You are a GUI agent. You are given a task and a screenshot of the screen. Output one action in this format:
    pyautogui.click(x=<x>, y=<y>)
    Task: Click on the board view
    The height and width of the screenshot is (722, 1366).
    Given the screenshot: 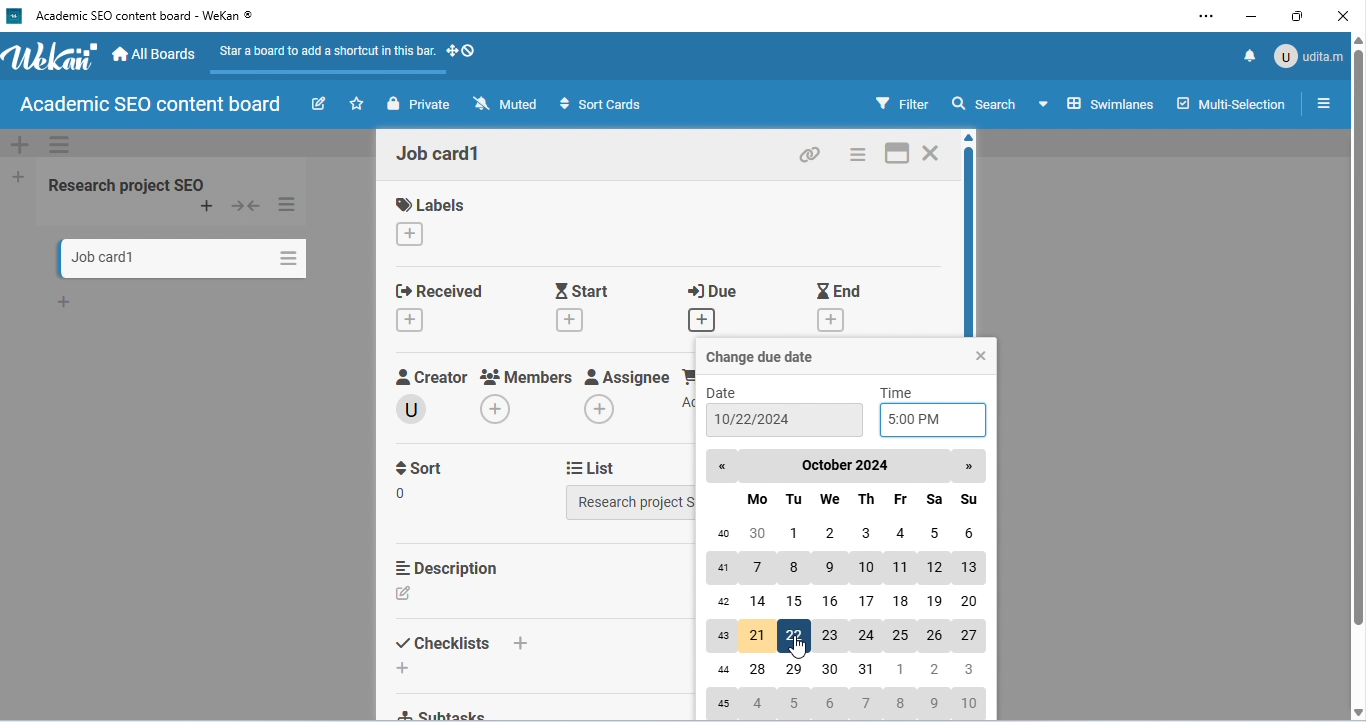 What is the action you would take?
    pyautogui.click(x=1095, y=103)
    